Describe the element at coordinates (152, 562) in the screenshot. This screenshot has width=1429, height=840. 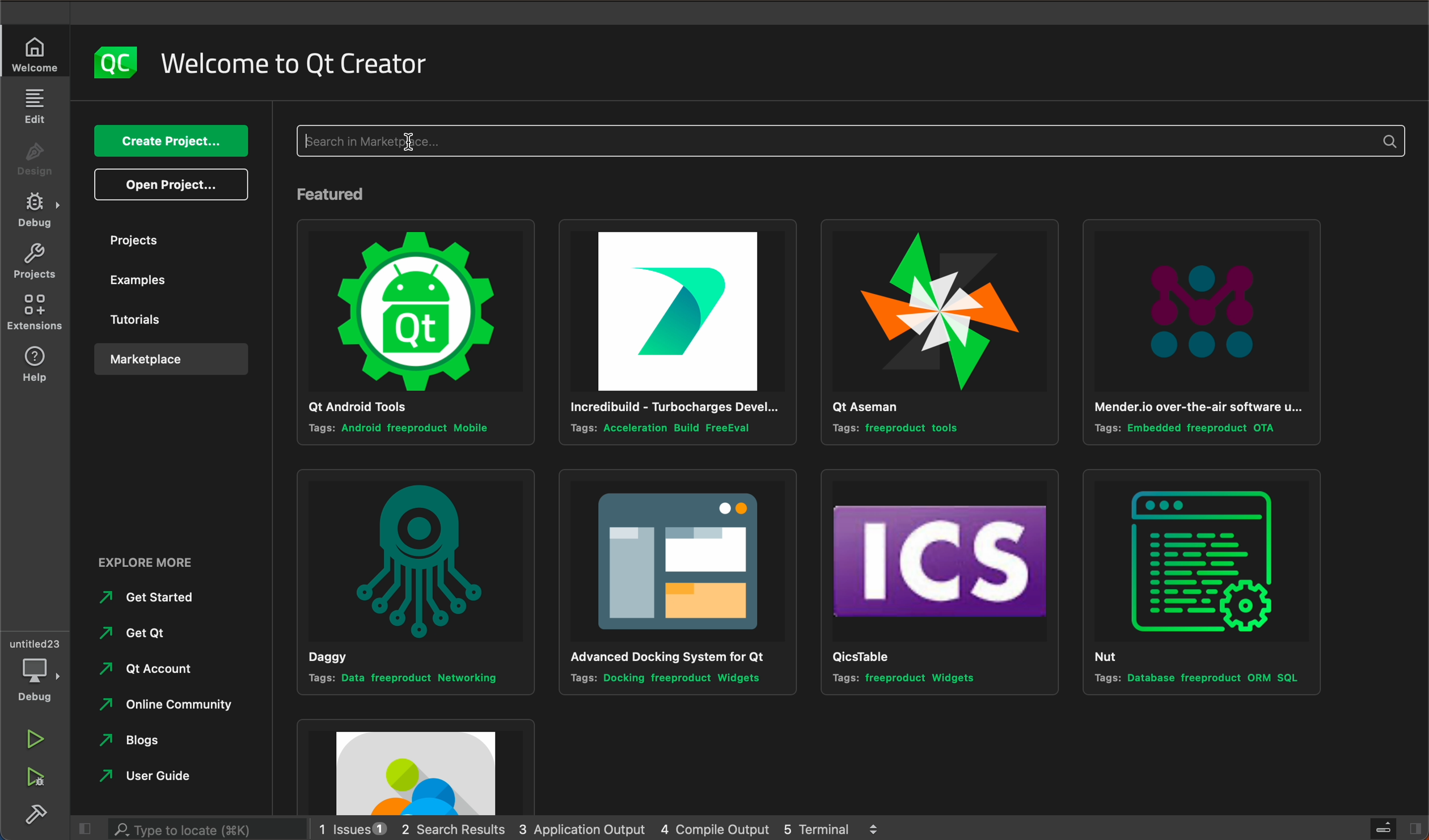
I see `` at that location.